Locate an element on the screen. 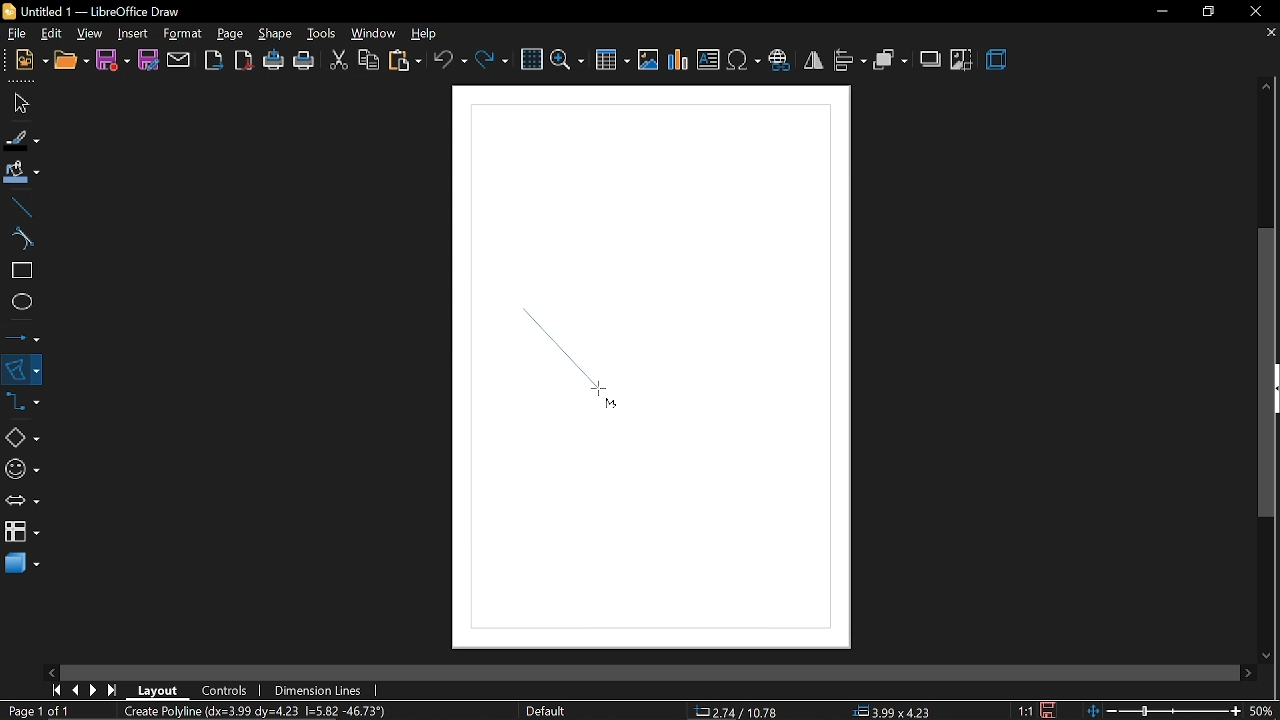 This screenshot has width=1280, height=720. dimension is located at coordinates (318, 689).